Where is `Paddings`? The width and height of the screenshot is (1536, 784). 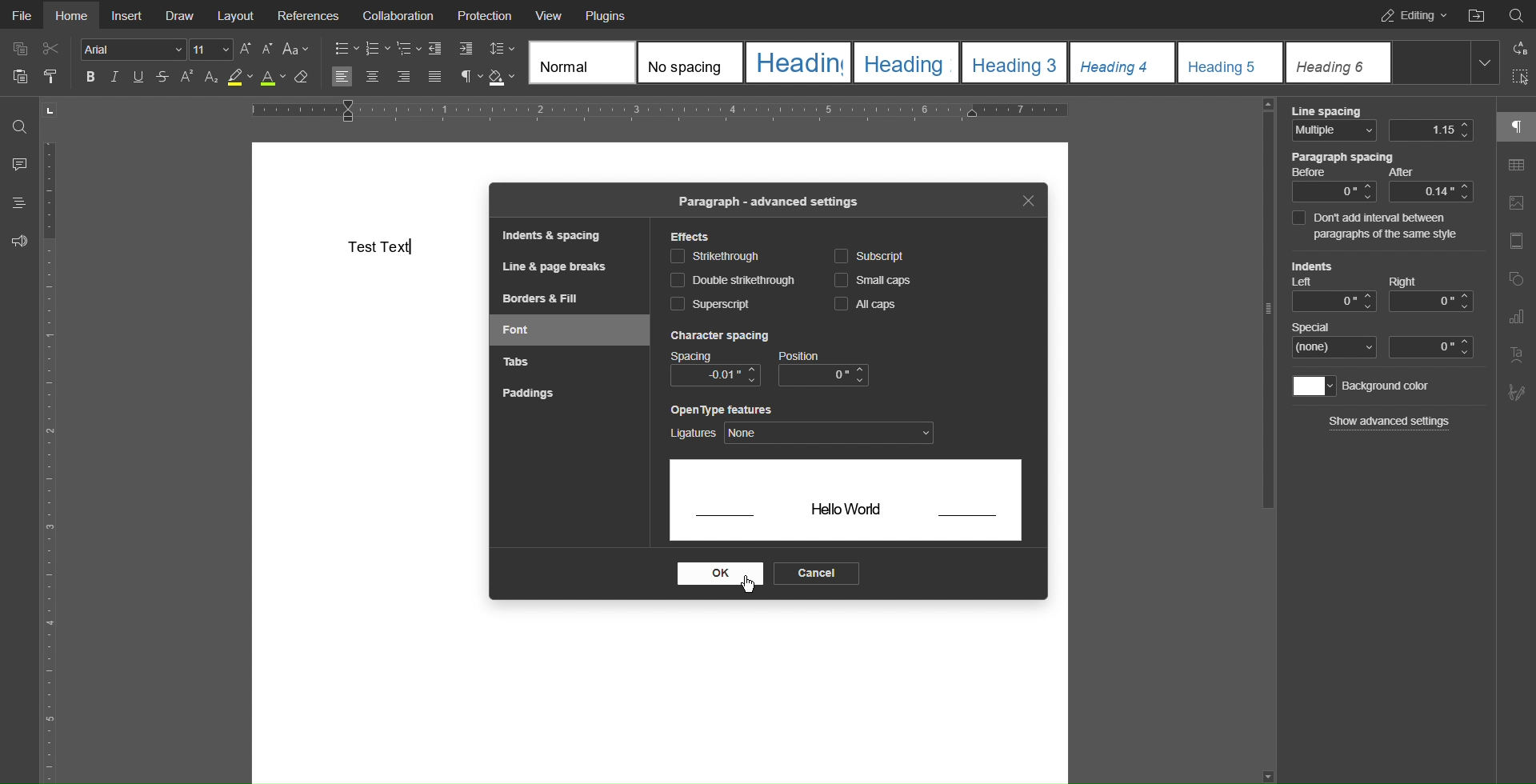 Paddings is located at coordinates (526, 393).